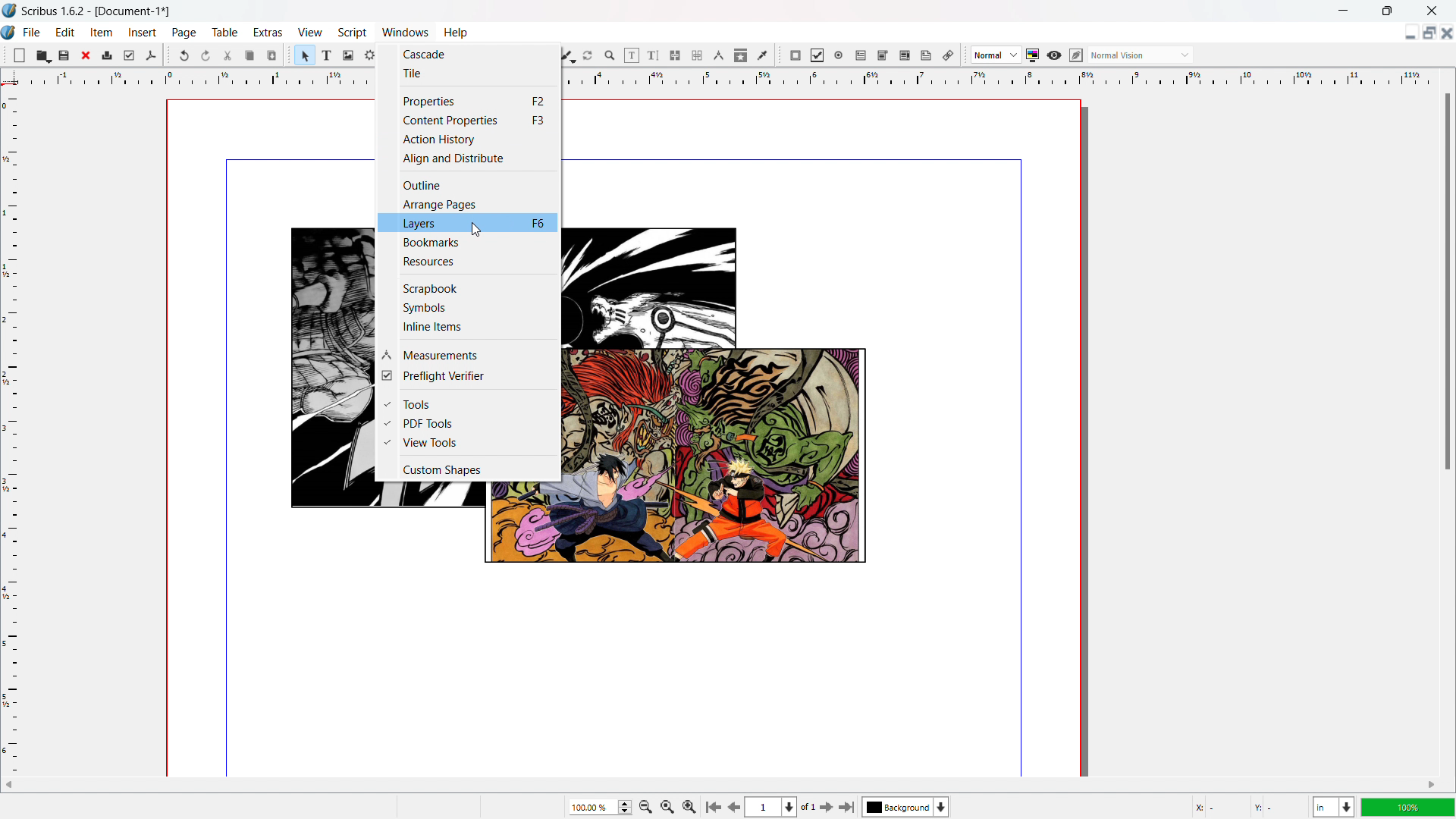  What do you see at coordinates (191, 80) in the screenshot?
I see `horizontal ruler` at bounding box center [191, 80].